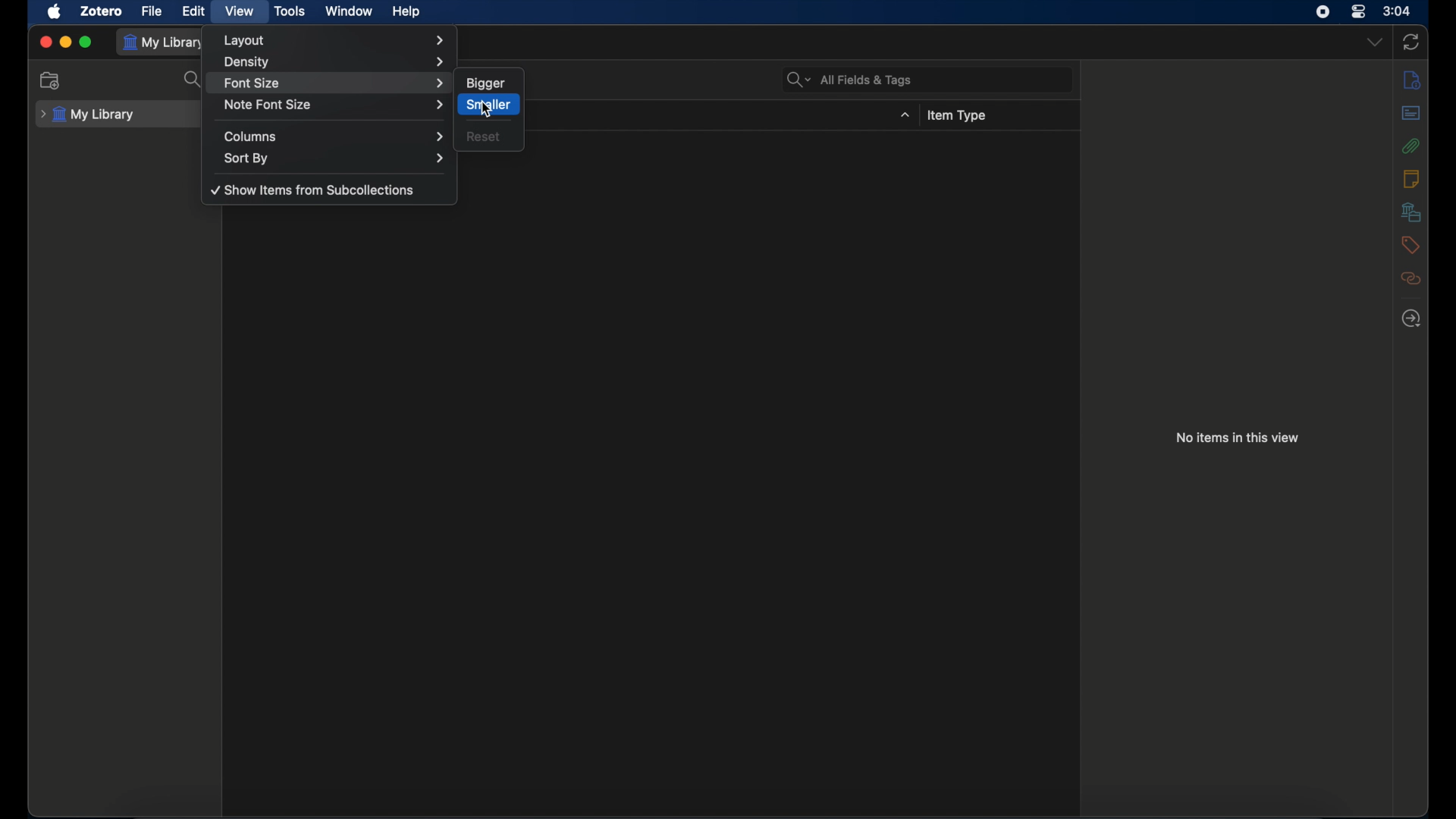  What do you see at coordinates (1410, 146) in the screenshot?
I see `attachments` at bounding box center [1410, 146].